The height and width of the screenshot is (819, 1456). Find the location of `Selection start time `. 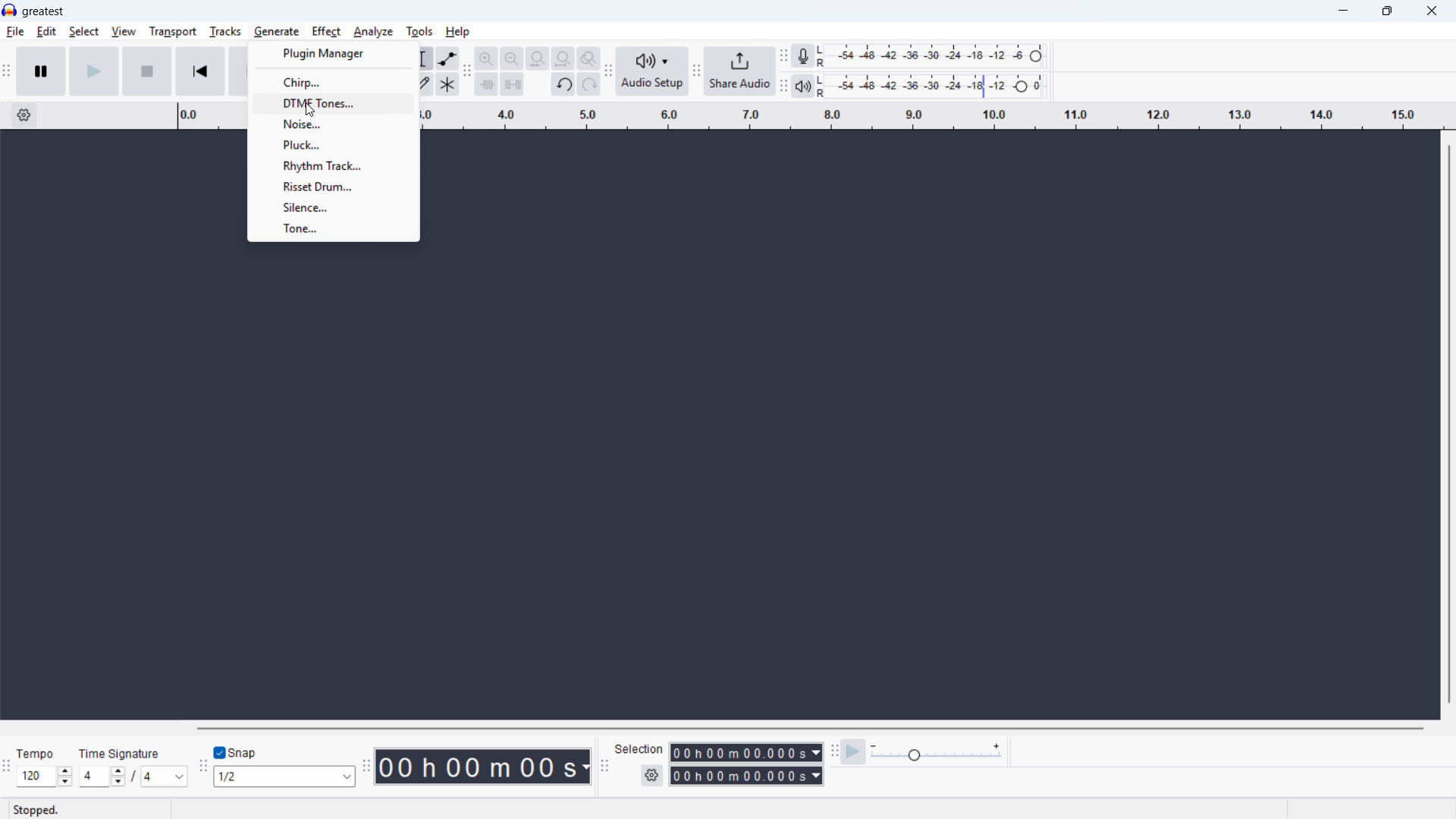

Selection start time  is located at coordinates (745, 752).